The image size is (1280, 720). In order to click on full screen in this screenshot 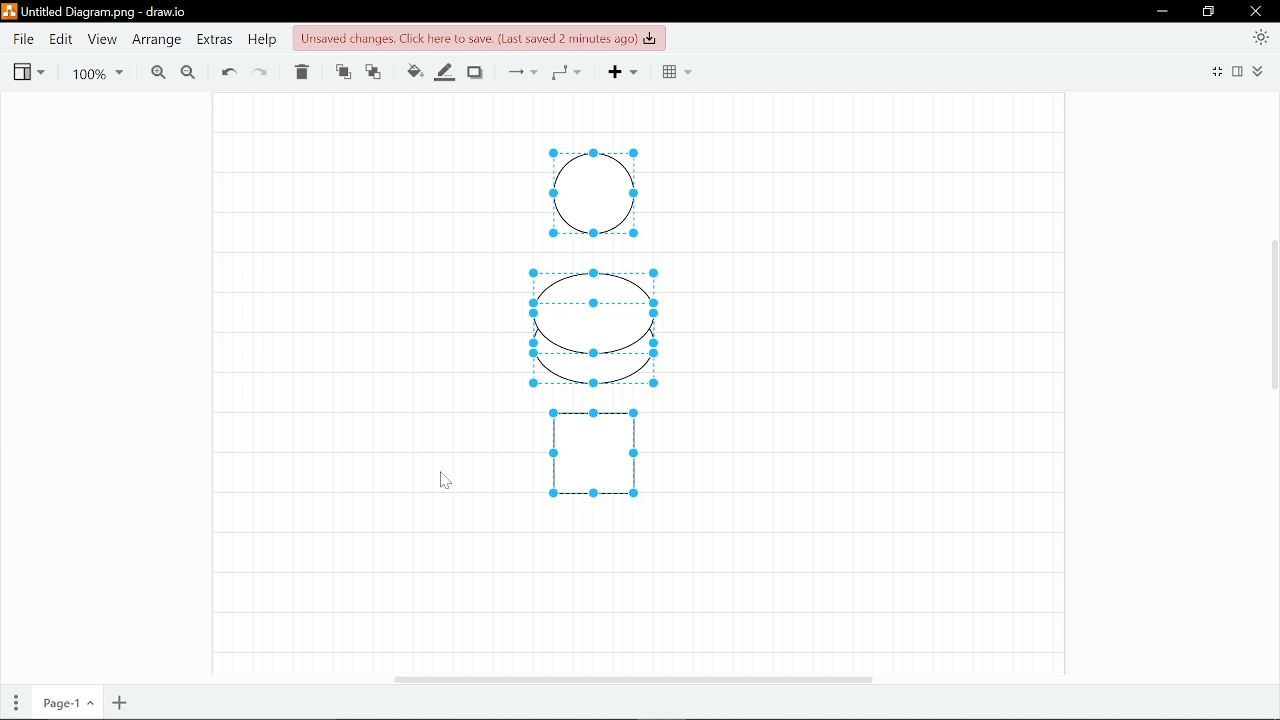, I will do `click(1218, 70)`.